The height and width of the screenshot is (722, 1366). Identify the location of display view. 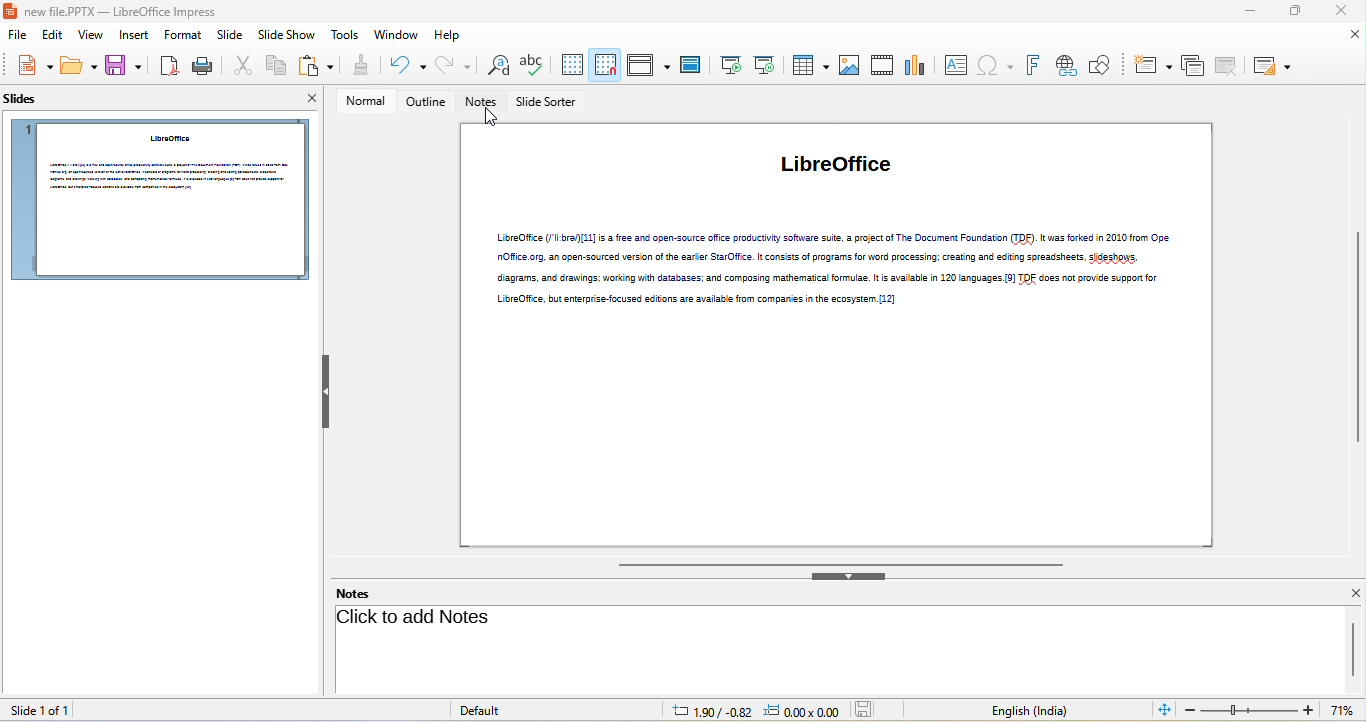
(648, 65).